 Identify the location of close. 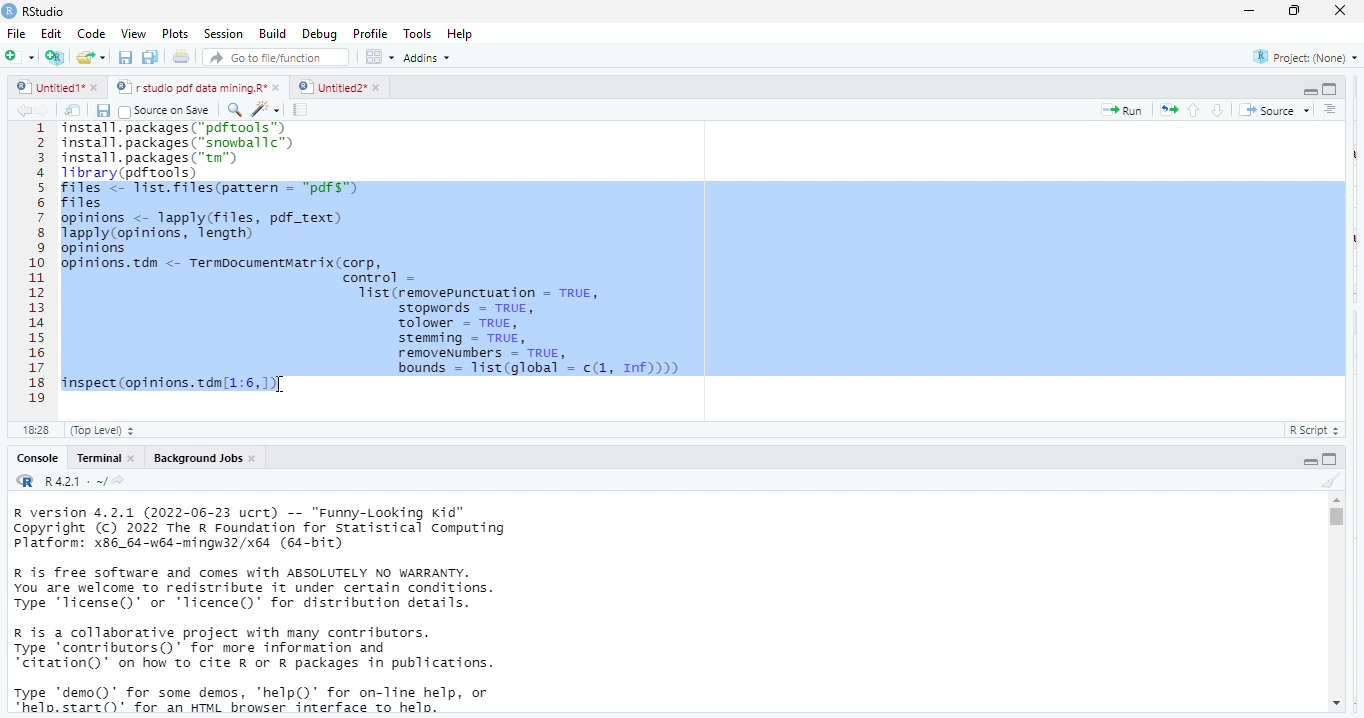
(98, 89).